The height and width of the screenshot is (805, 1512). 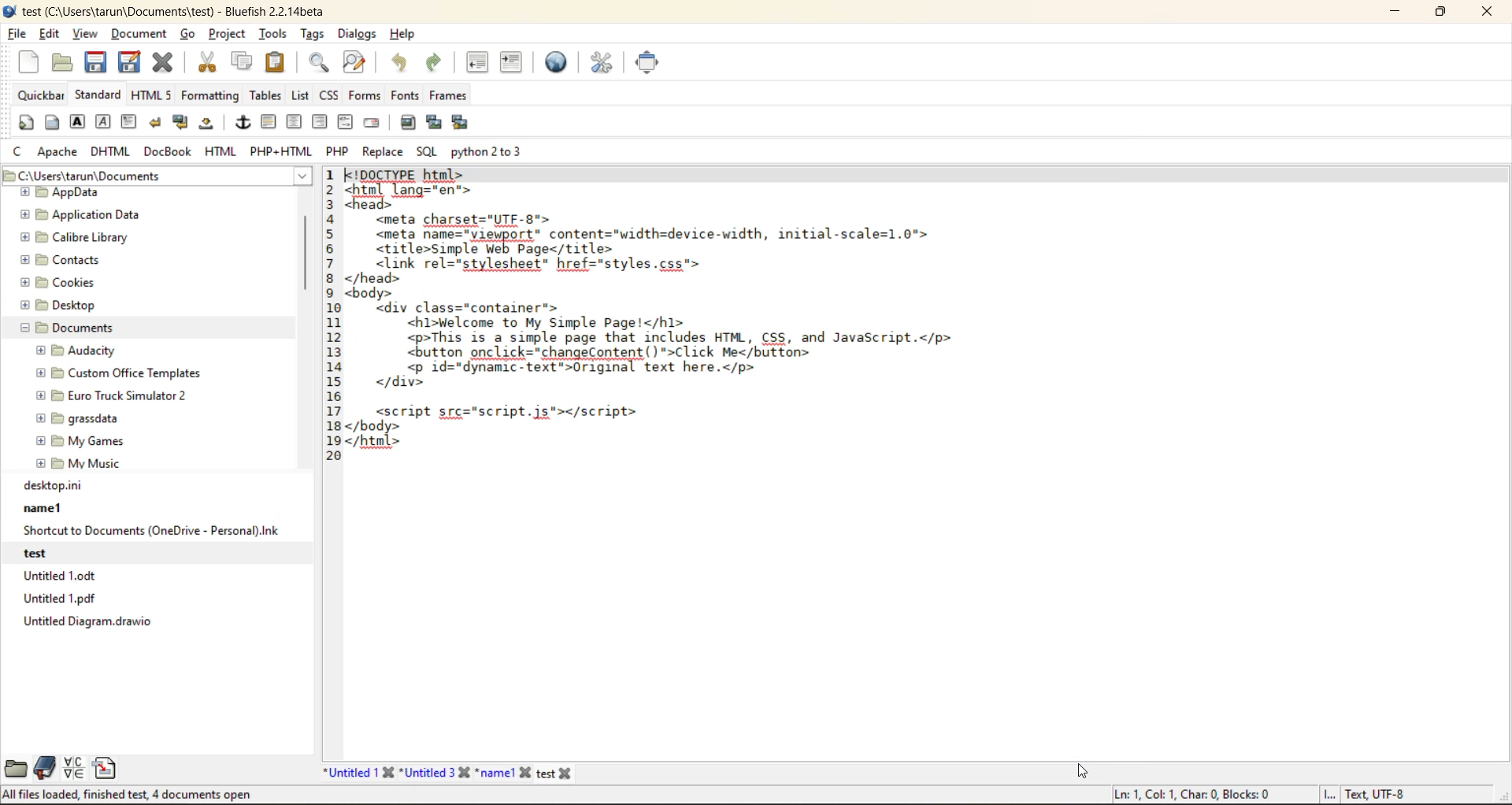 What do you see at coordinates (510, 62) in the screenshot?
I see `indent` at bounding box center [510, 62].